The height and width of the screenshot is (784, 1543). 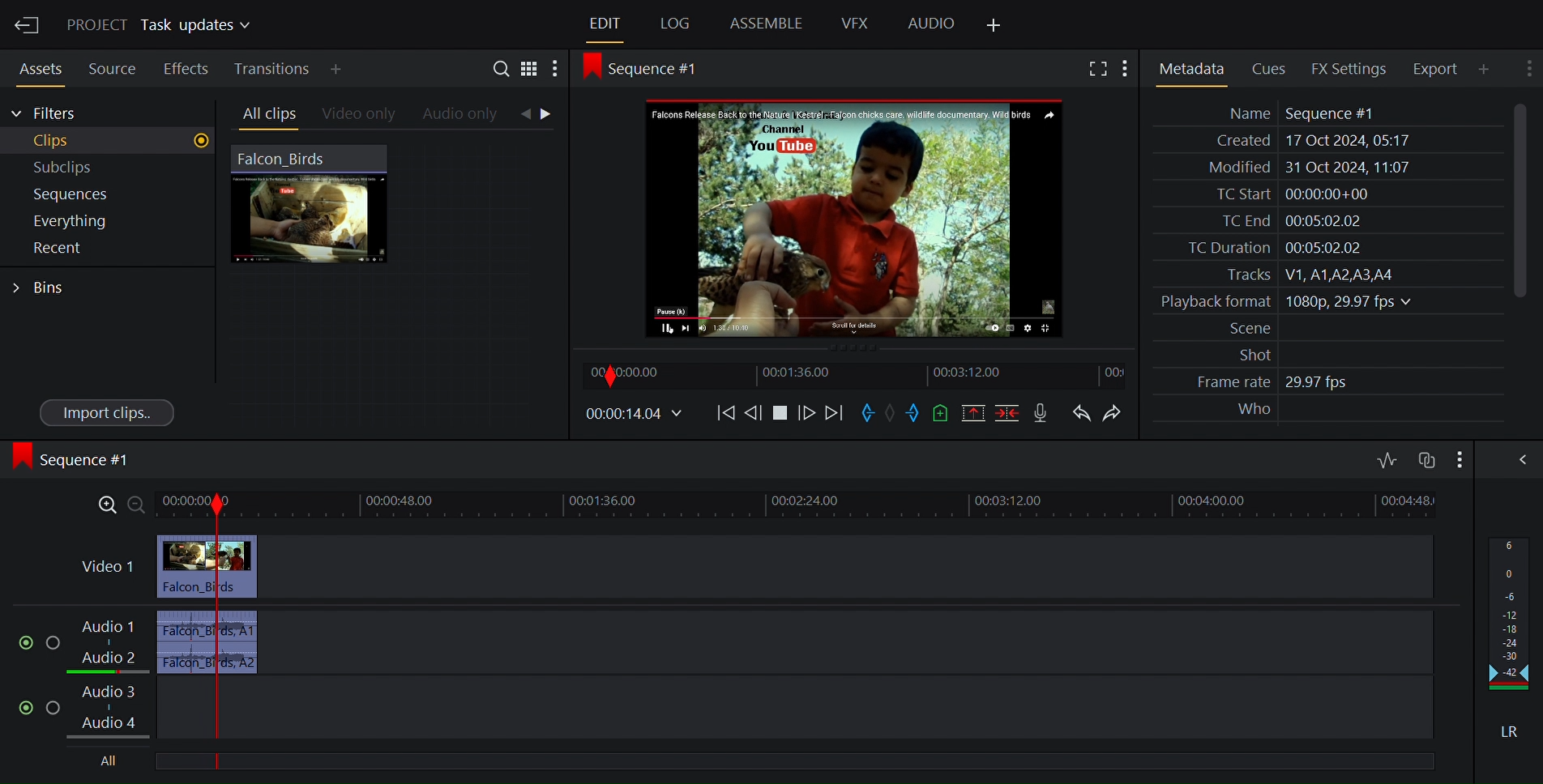 What do you see at coordinates (1321, 383) in the screenshot?
I see `29.97 fps` at bounding box center [1321, 383].